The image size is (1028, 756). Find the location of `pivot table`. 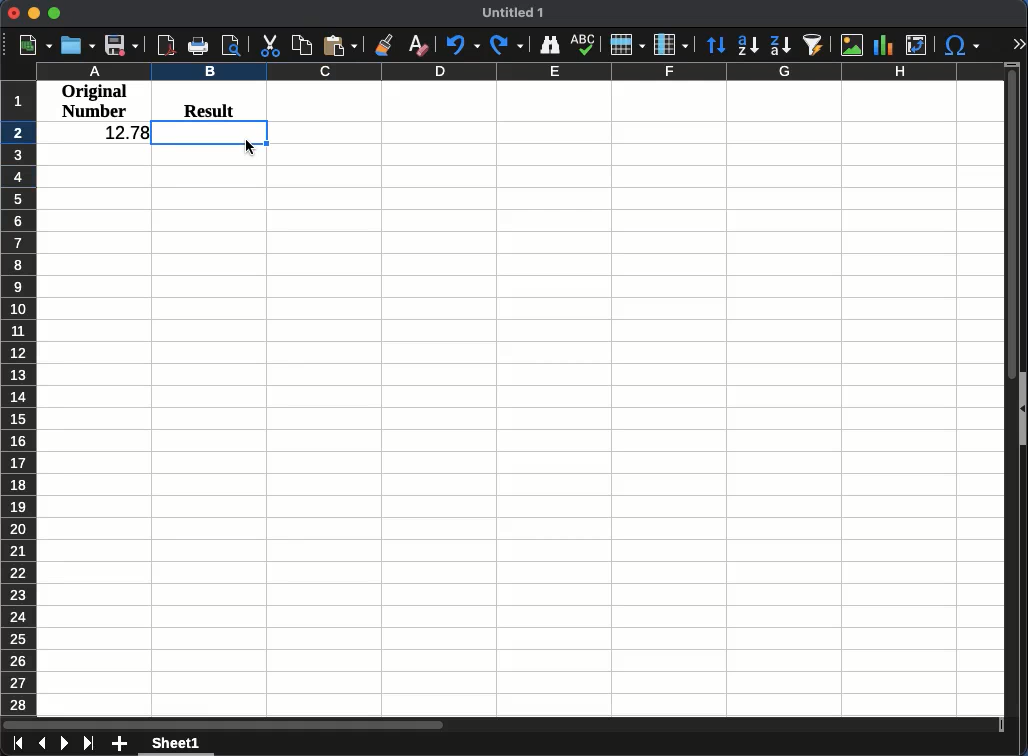

pivot table is located at coordinates (917, 44).